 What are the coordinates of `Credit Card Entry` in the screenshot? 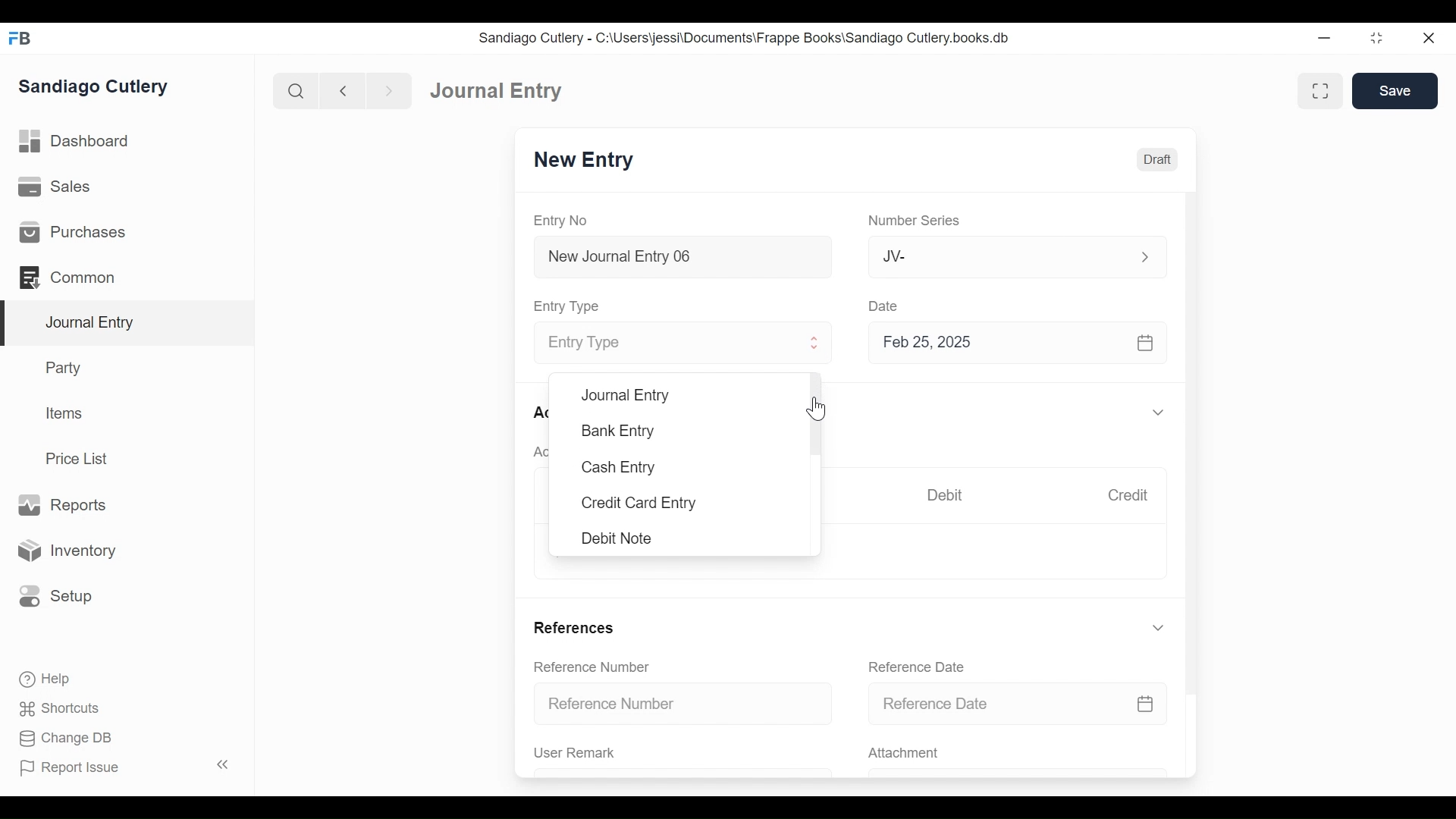 It's located at (639, 504).